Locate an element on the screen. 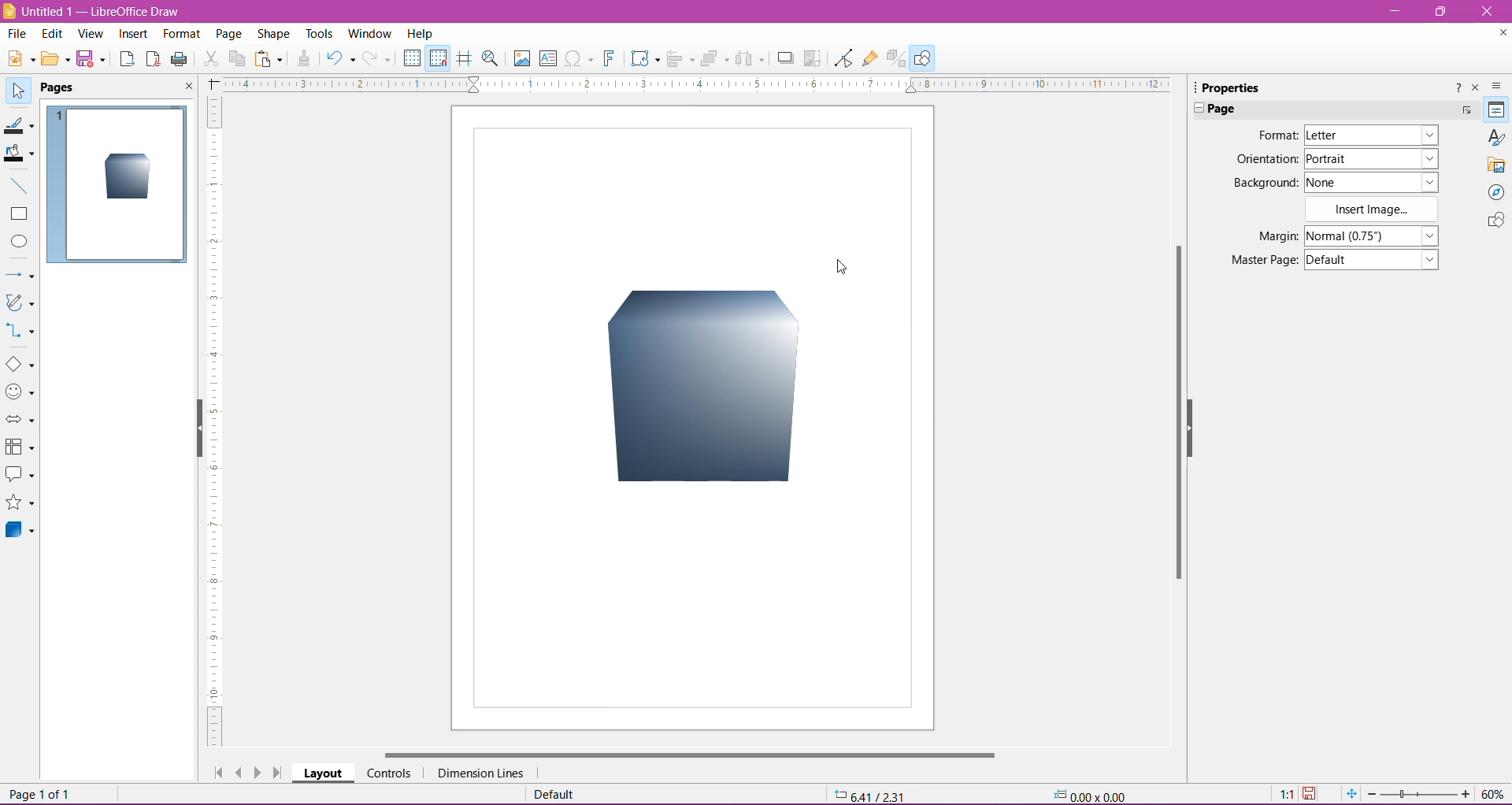 The width and height of the screenshot is (1512, 805). Zoom Factor is located at coordinates (1494, 794).